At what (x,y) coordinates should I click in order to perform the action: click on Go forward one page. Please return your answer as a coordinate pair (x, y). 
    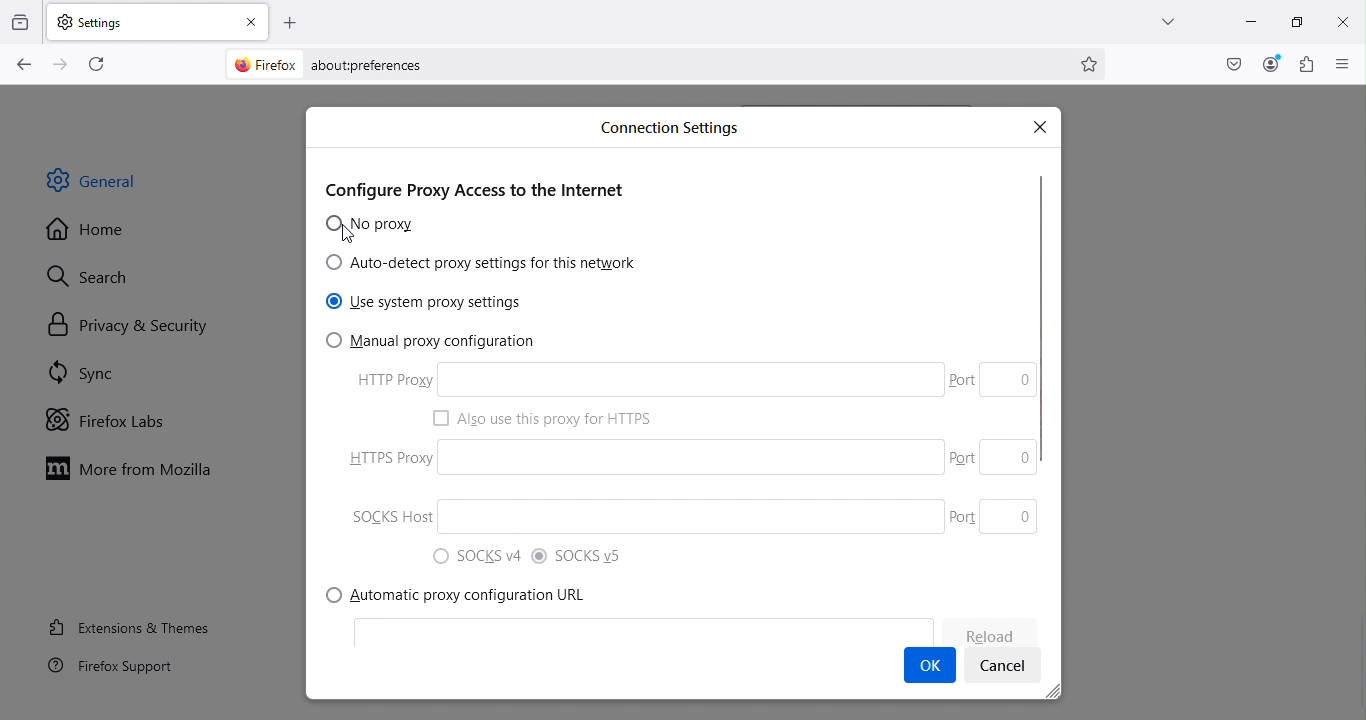
    Looking at the image, I should click on (63, 63).